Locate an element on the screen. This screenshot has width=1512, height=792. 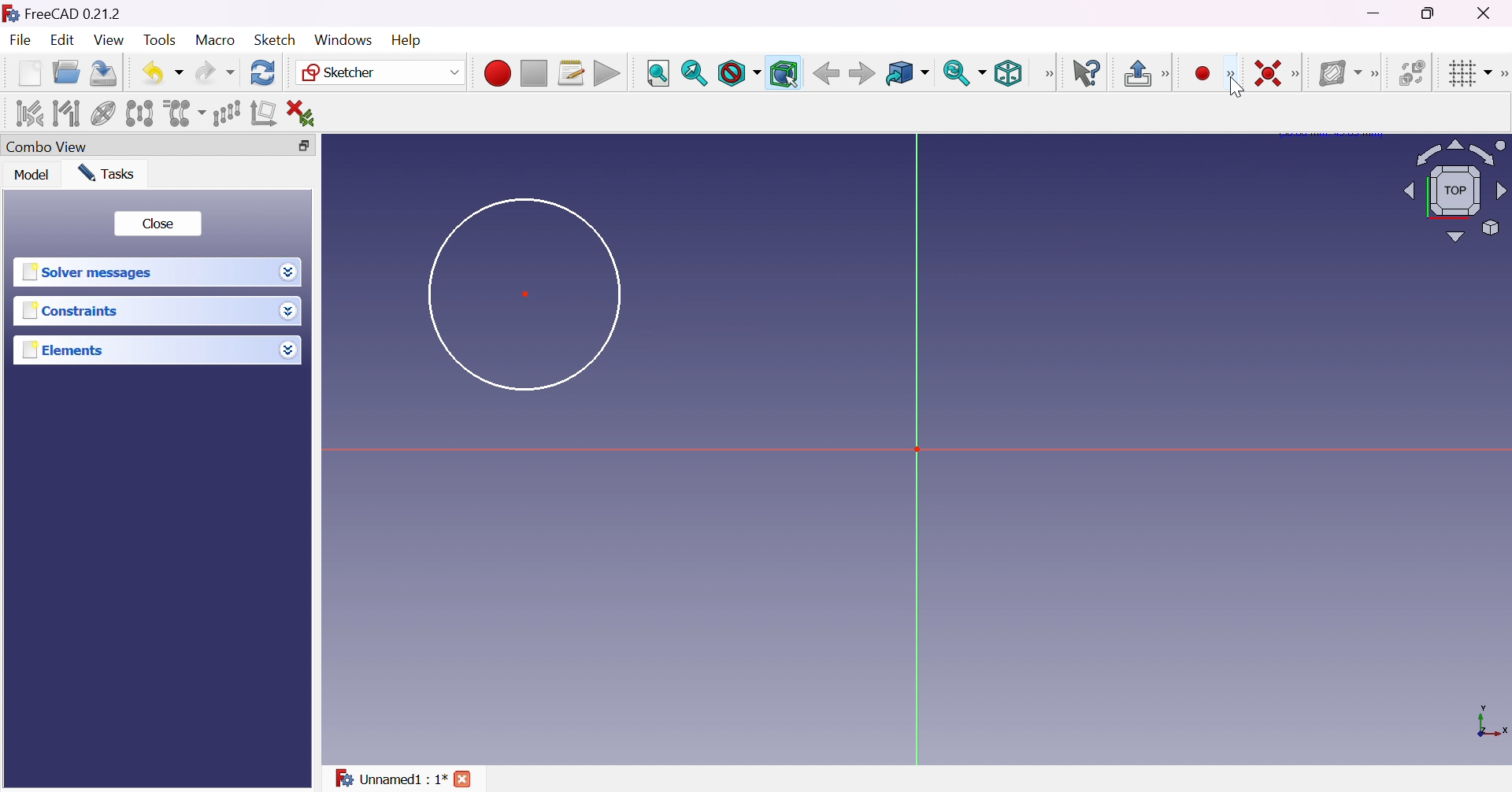
Dot is located at coordinates (527, 293).